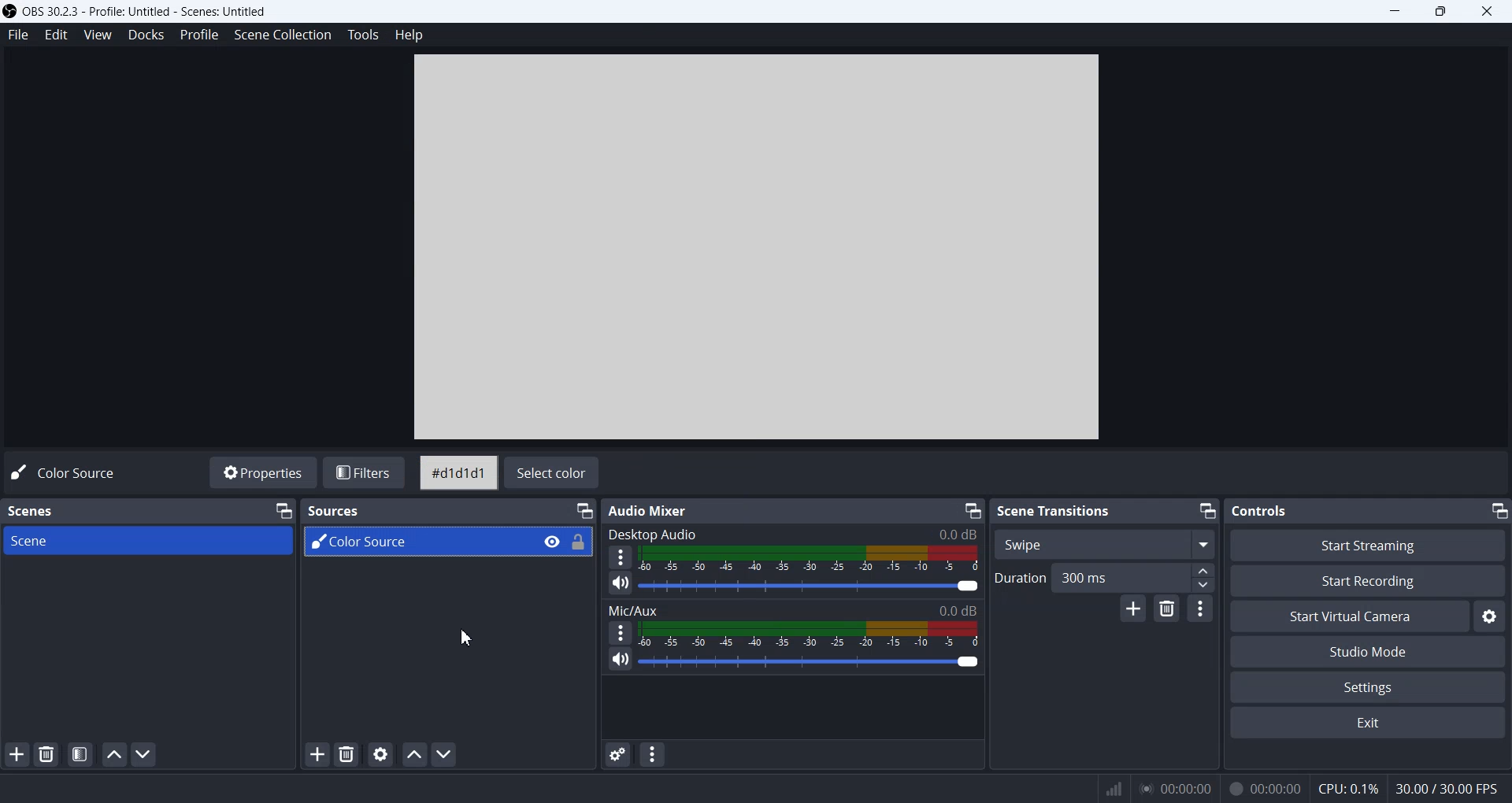  Describe the element at coordinates (1207, 512) in the screenshot. I see `Minimize` at that location.